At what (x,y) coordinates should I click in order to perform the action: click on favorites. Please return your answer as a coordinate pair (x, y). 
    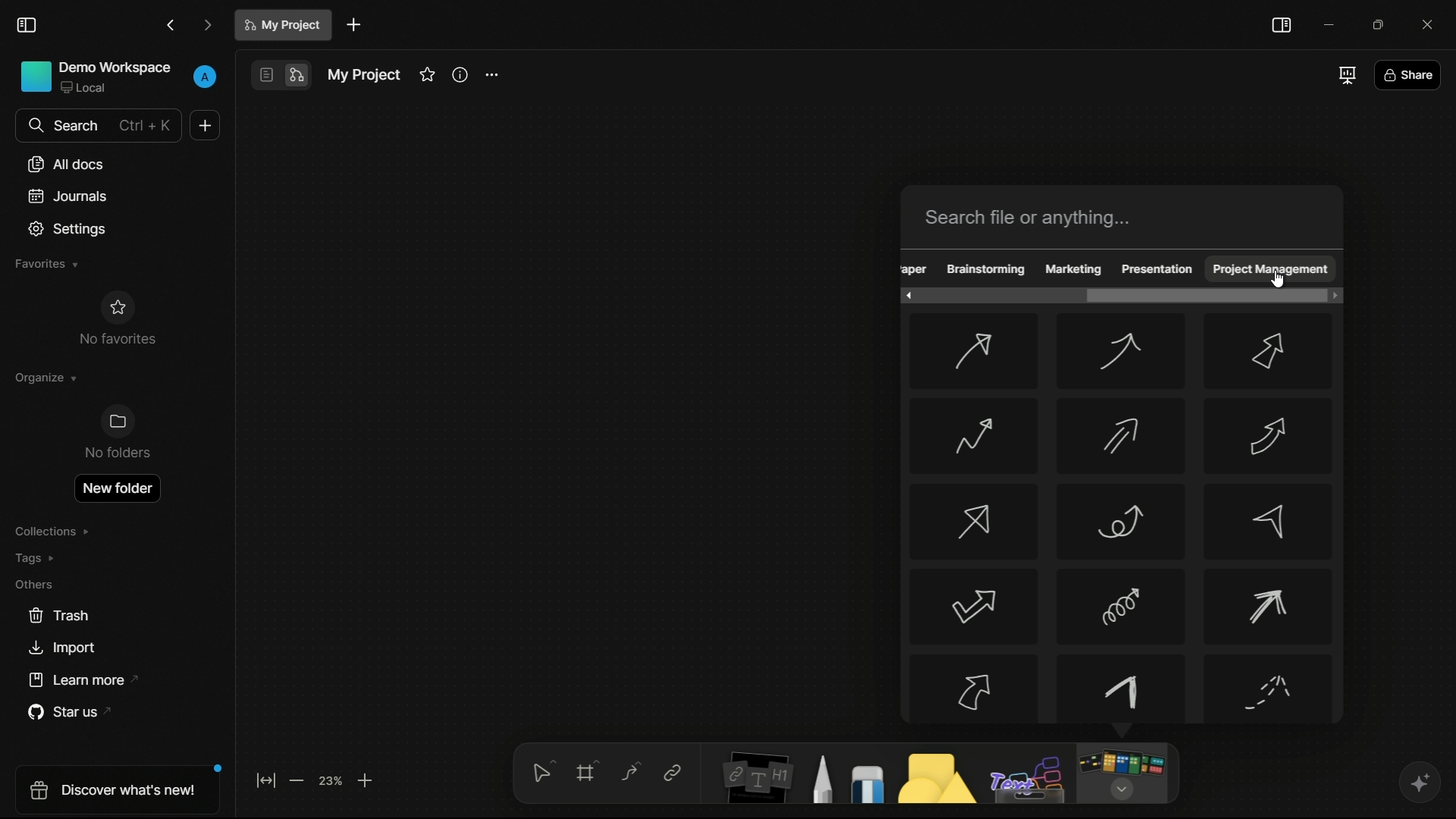
    Looking at the image, I should click on (427, 74).